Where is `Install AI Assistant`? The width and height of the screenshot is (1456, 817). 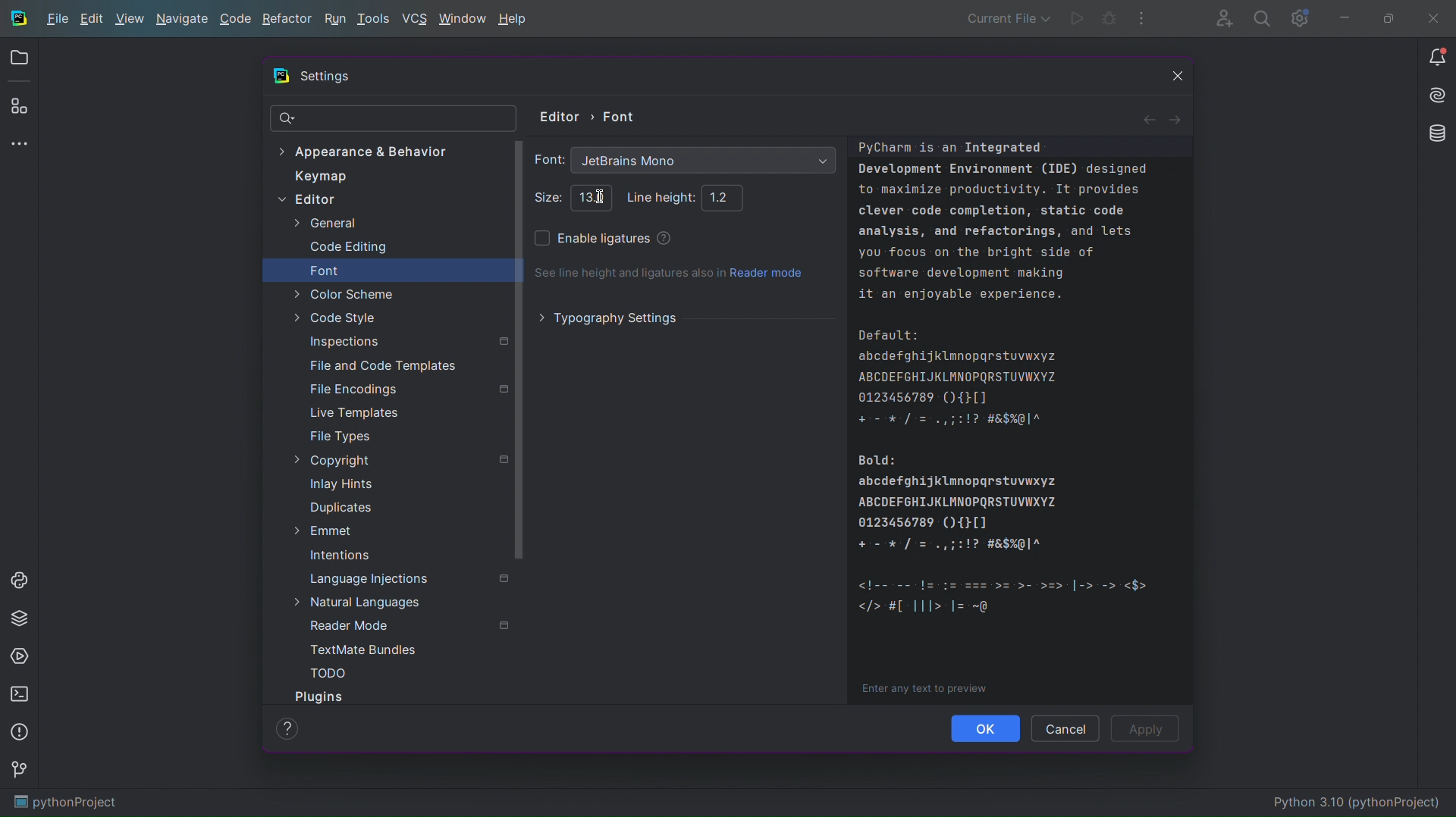
Install AI Assistant is located at coordinates (1432, 98).